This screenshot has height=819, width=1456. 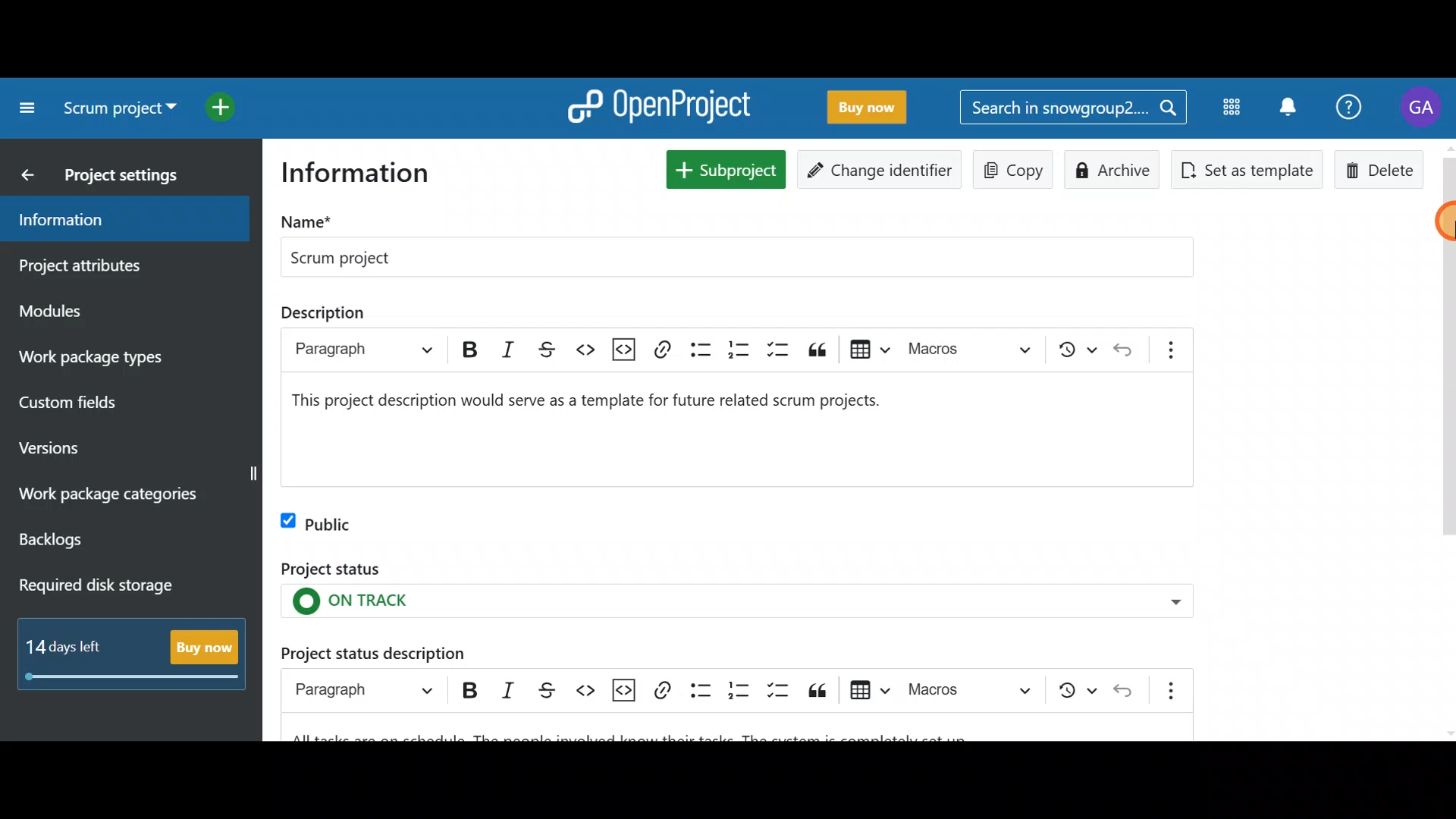 I want to click on Code, so click(x=587, y=689).